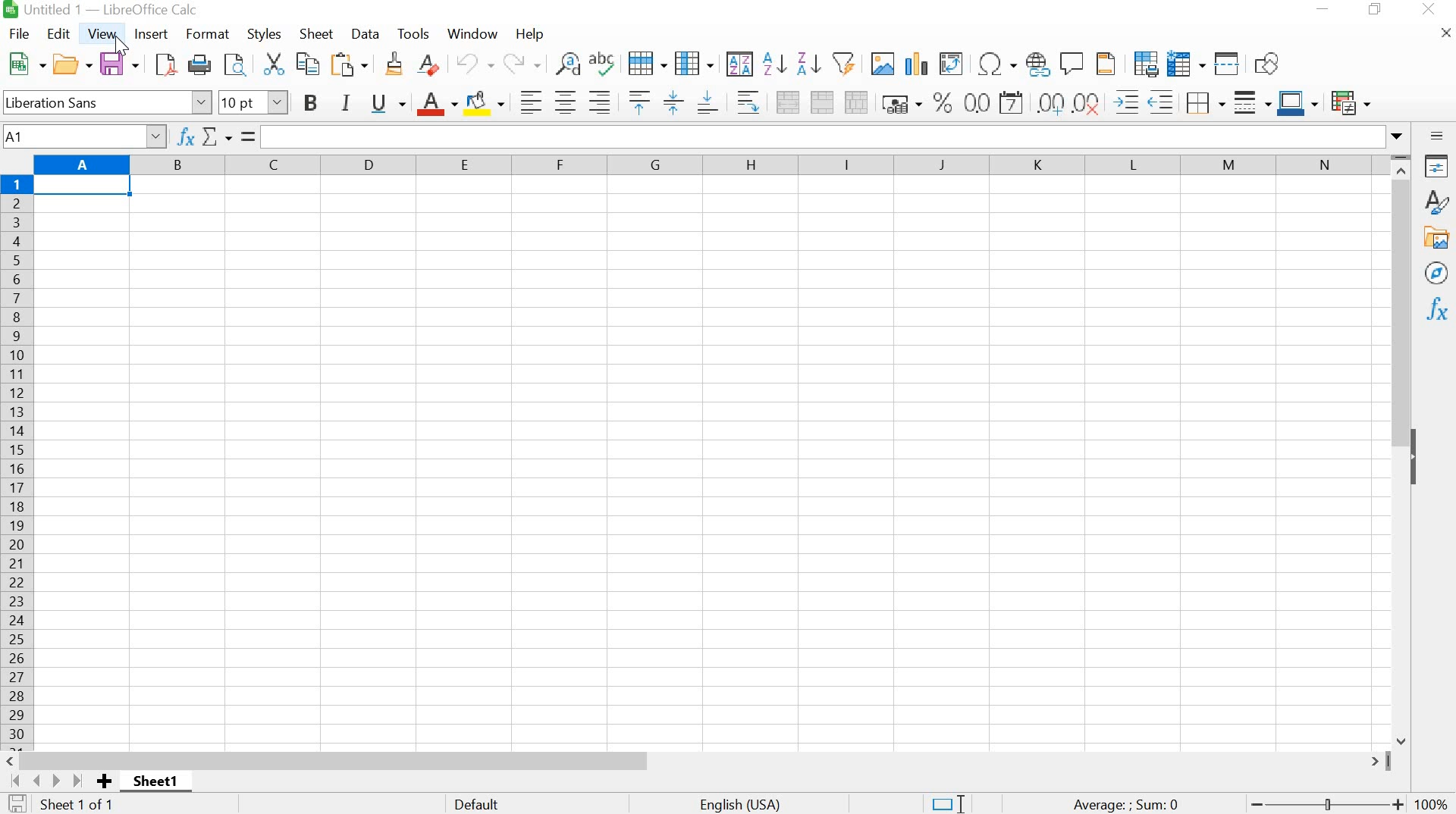 The width and height of the screenshot is (1456, 814). Describe the element at coordinates (346, 101) in the screenshot. I see `ITALIC` at that location.